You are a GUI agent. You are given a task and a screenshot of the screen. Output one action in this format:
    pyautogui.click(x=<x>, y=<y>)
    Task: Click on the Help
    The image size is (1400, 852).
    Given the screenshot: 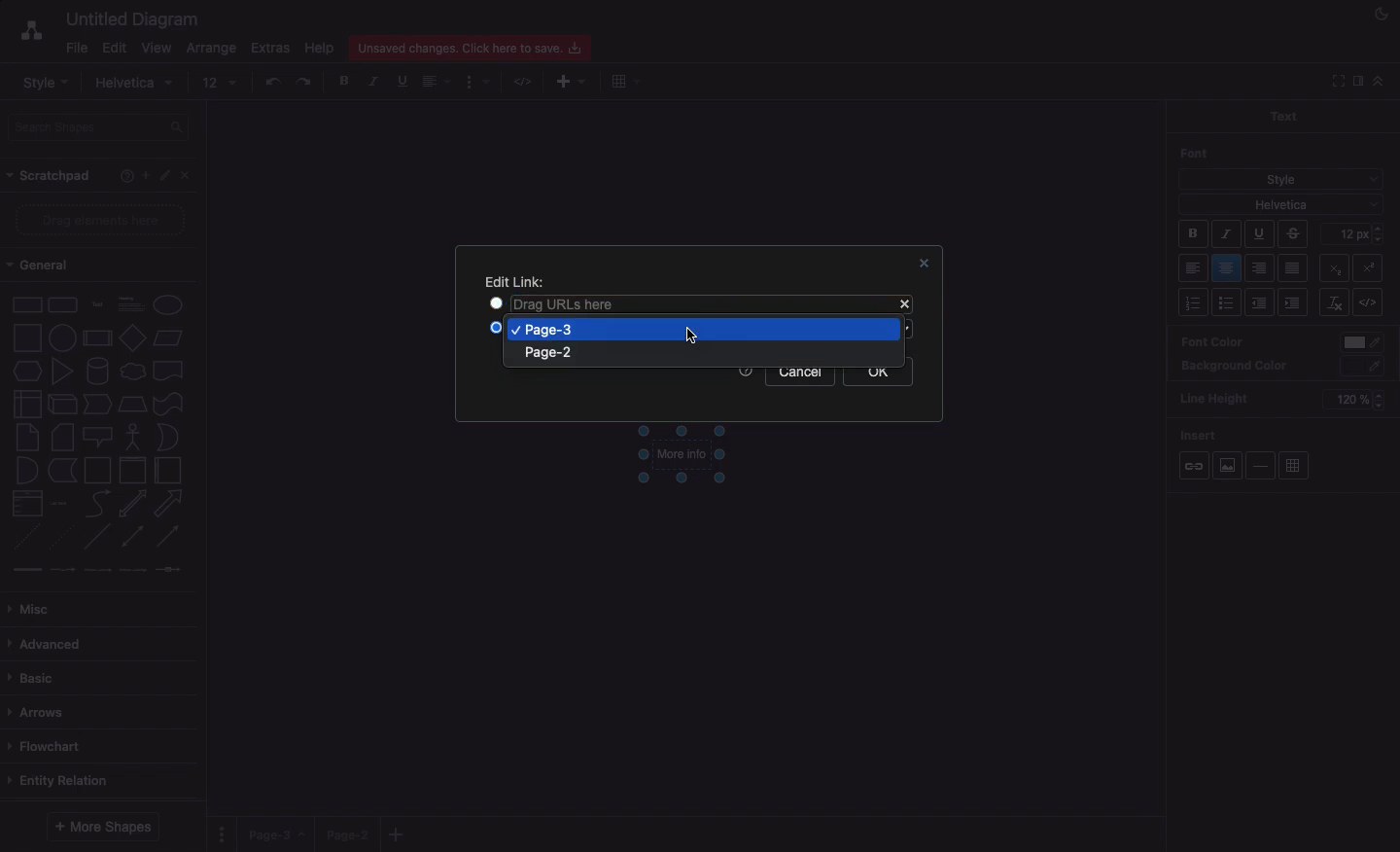 What is the action you would take?
    pyautogui.click(x=122, y=178)
    